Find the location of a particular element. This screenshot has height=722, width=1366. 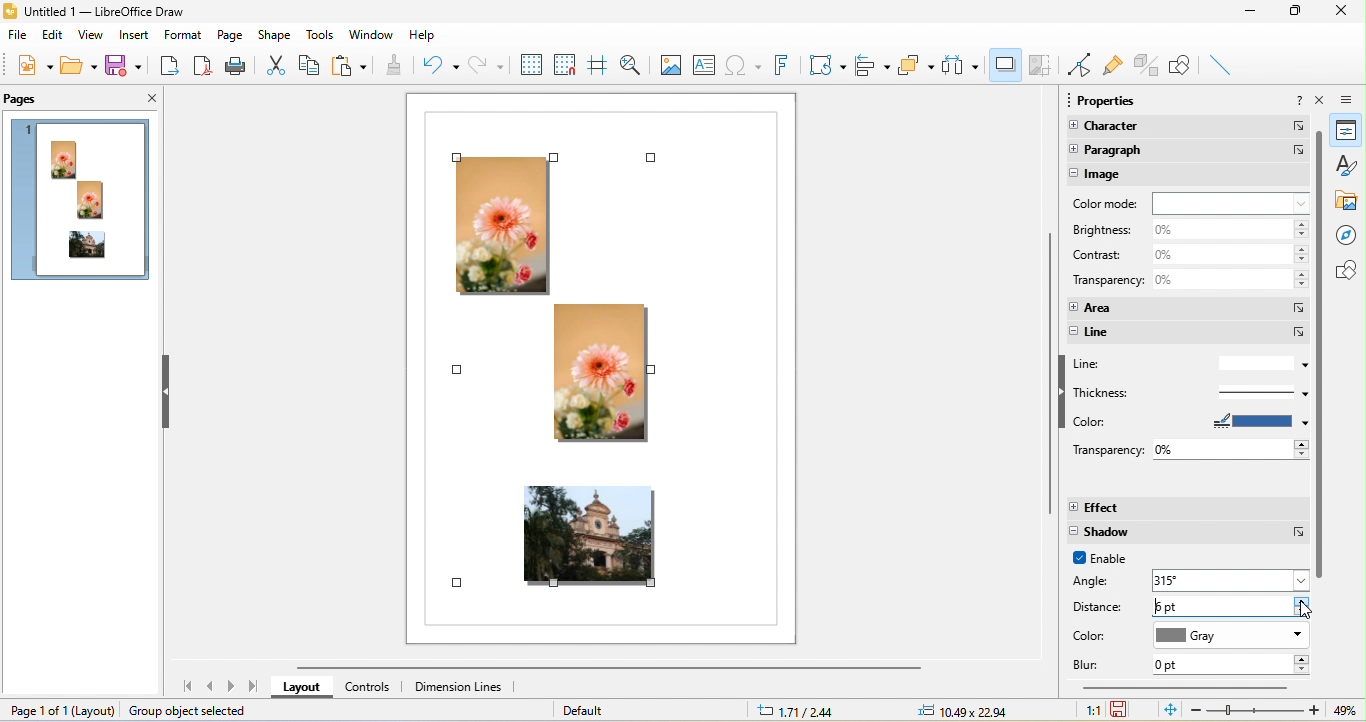

pages is located at coordinates (26, 99).